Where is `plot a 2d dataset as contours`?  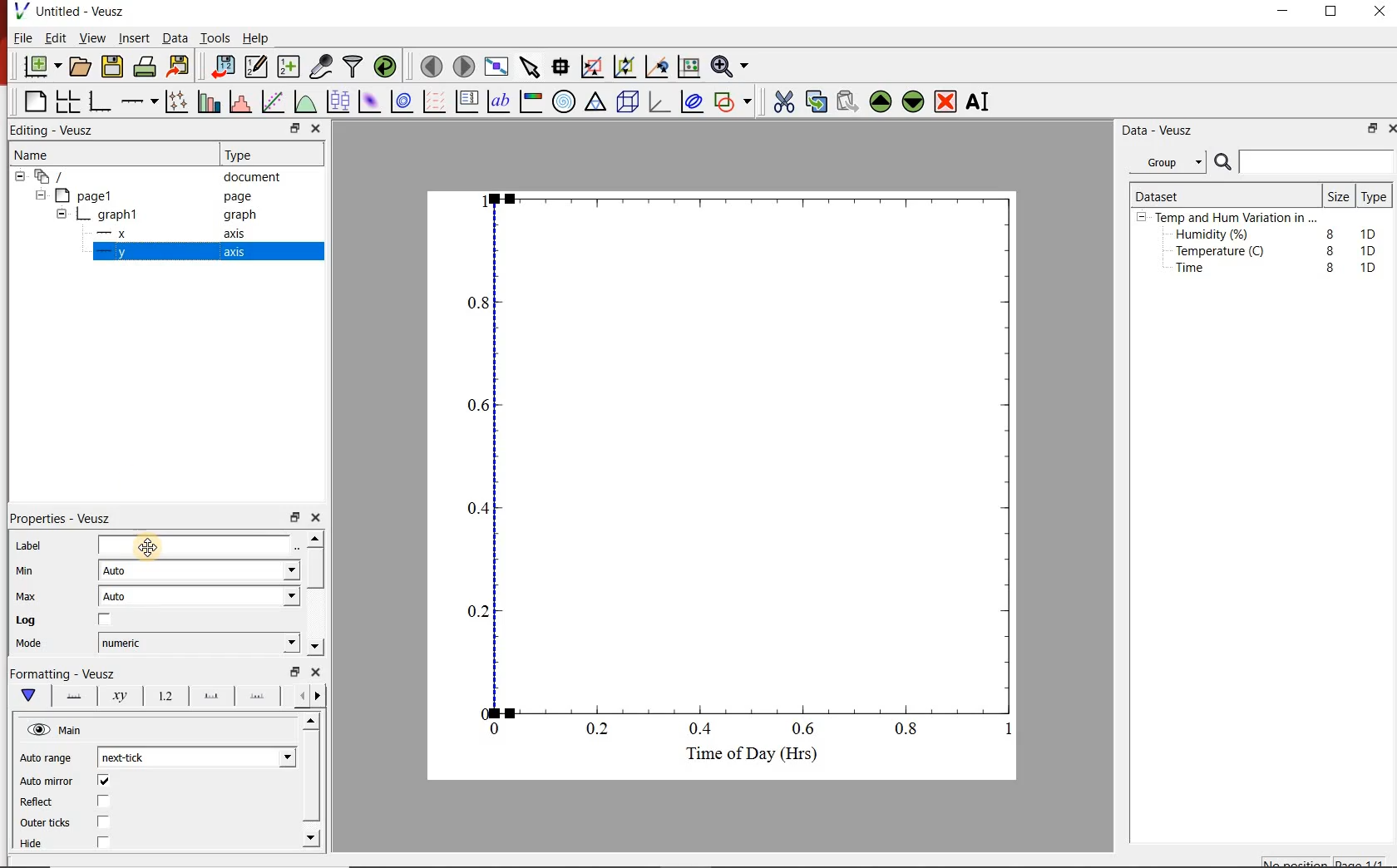
plot a 2d dataset as contours is located at coordinates (406, 102).